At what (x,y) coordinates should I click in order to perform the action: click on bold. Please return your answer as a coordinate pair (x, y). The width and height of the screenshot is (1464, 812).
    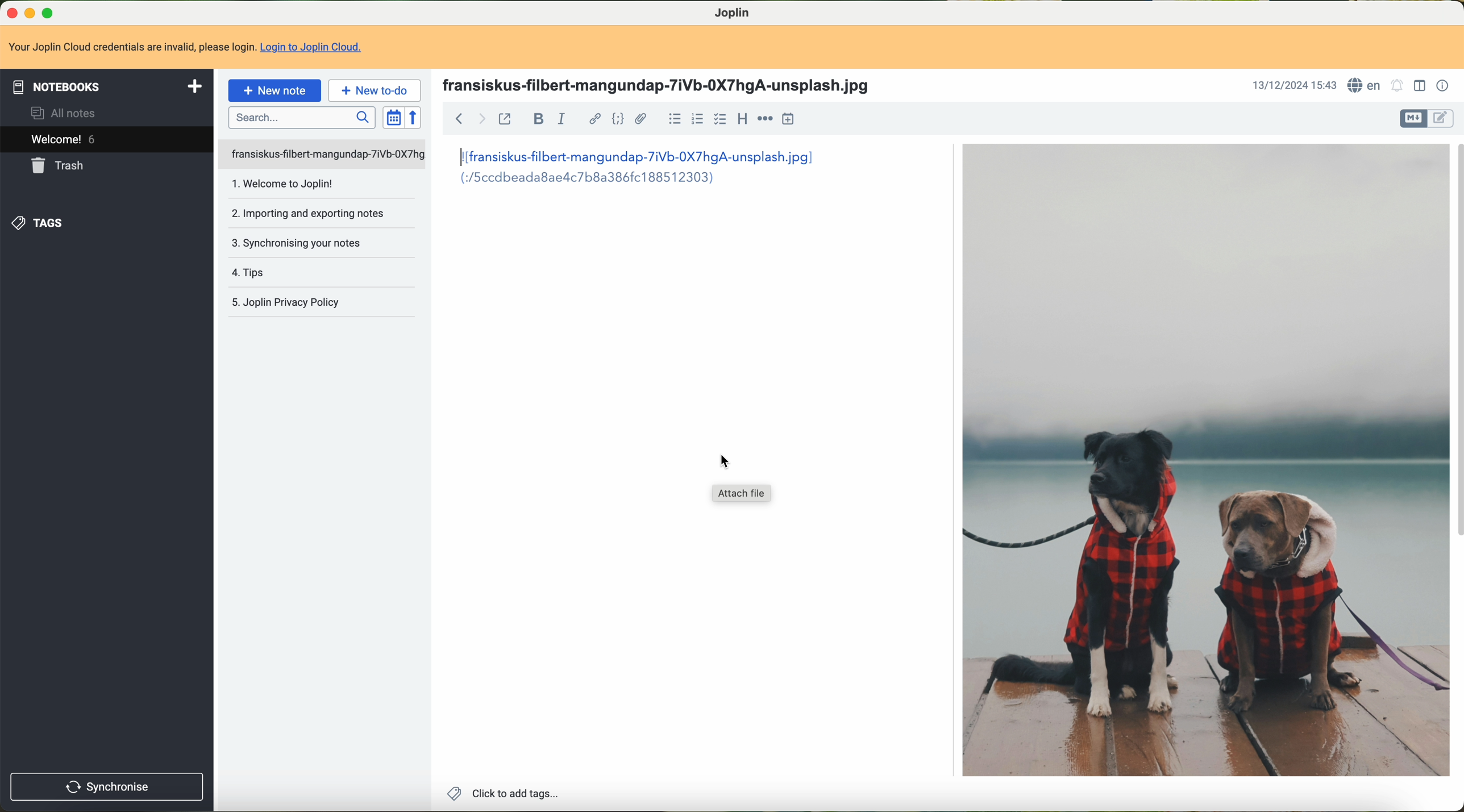
    Looking at the image, I should click on (539, 119).